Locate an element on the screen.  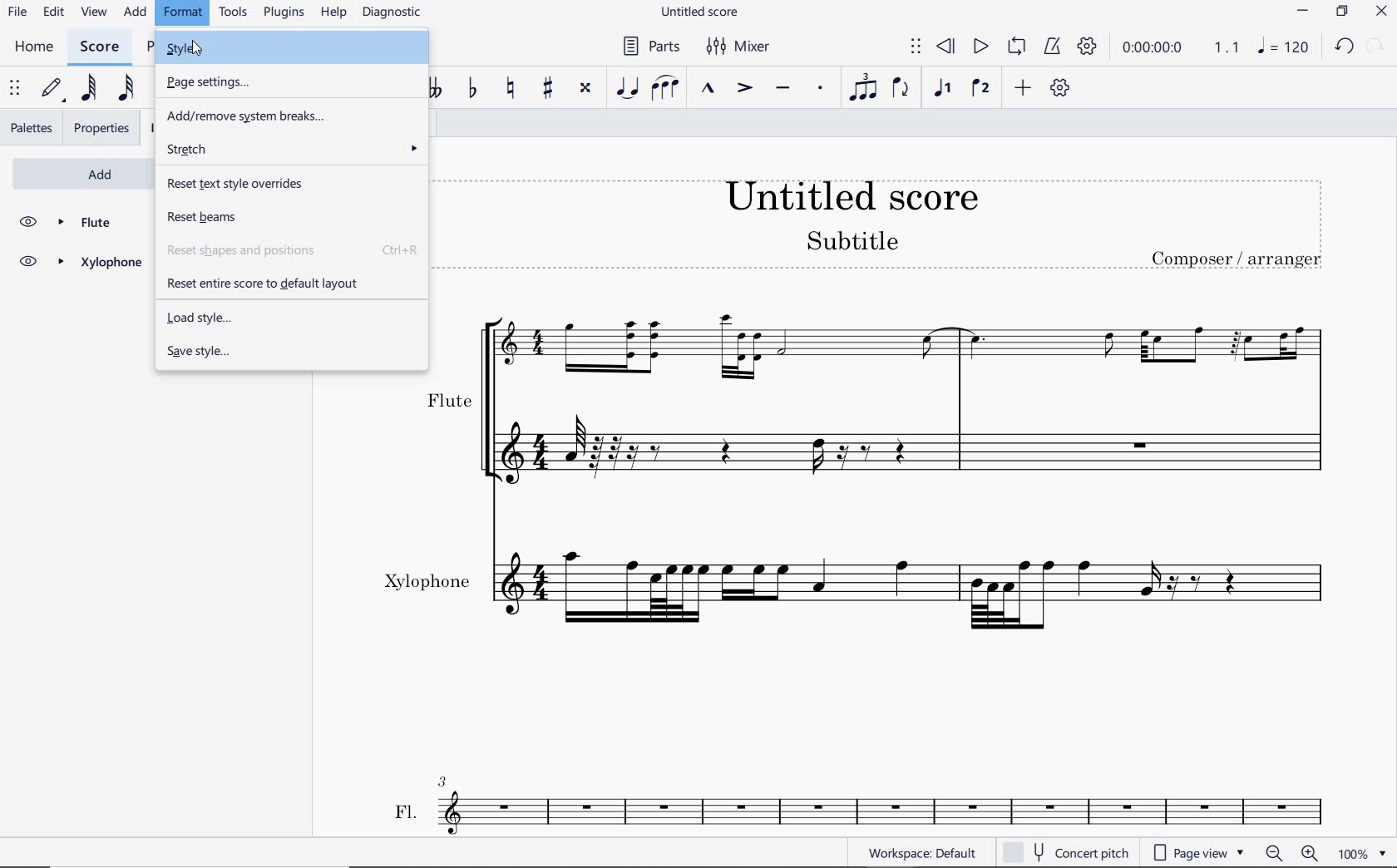
TOOLS is located at coordinates (234, 13).